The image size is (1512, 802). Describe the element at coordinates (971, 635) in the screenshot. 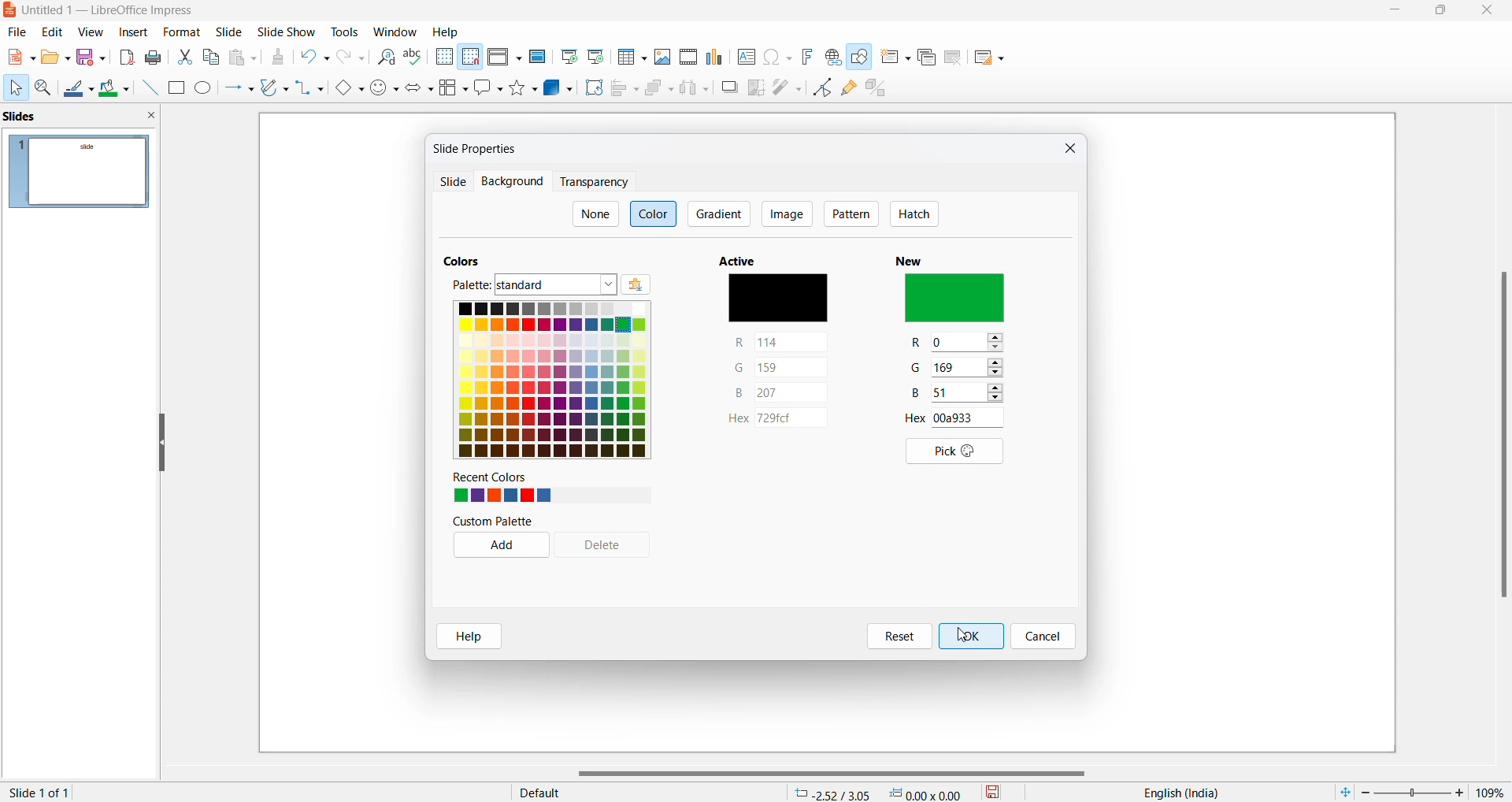

I see `ok` at that location.